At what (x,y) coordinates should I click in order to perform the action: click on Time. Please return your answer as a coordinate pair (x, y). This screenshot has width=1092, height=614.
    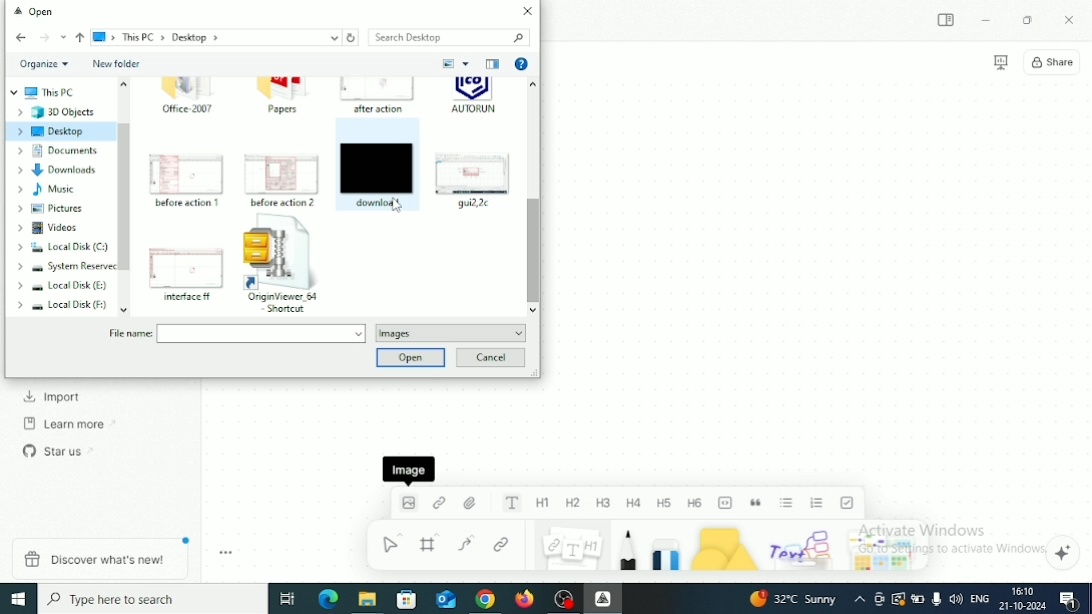
    Looking at the image, I should click on (1023, 590).